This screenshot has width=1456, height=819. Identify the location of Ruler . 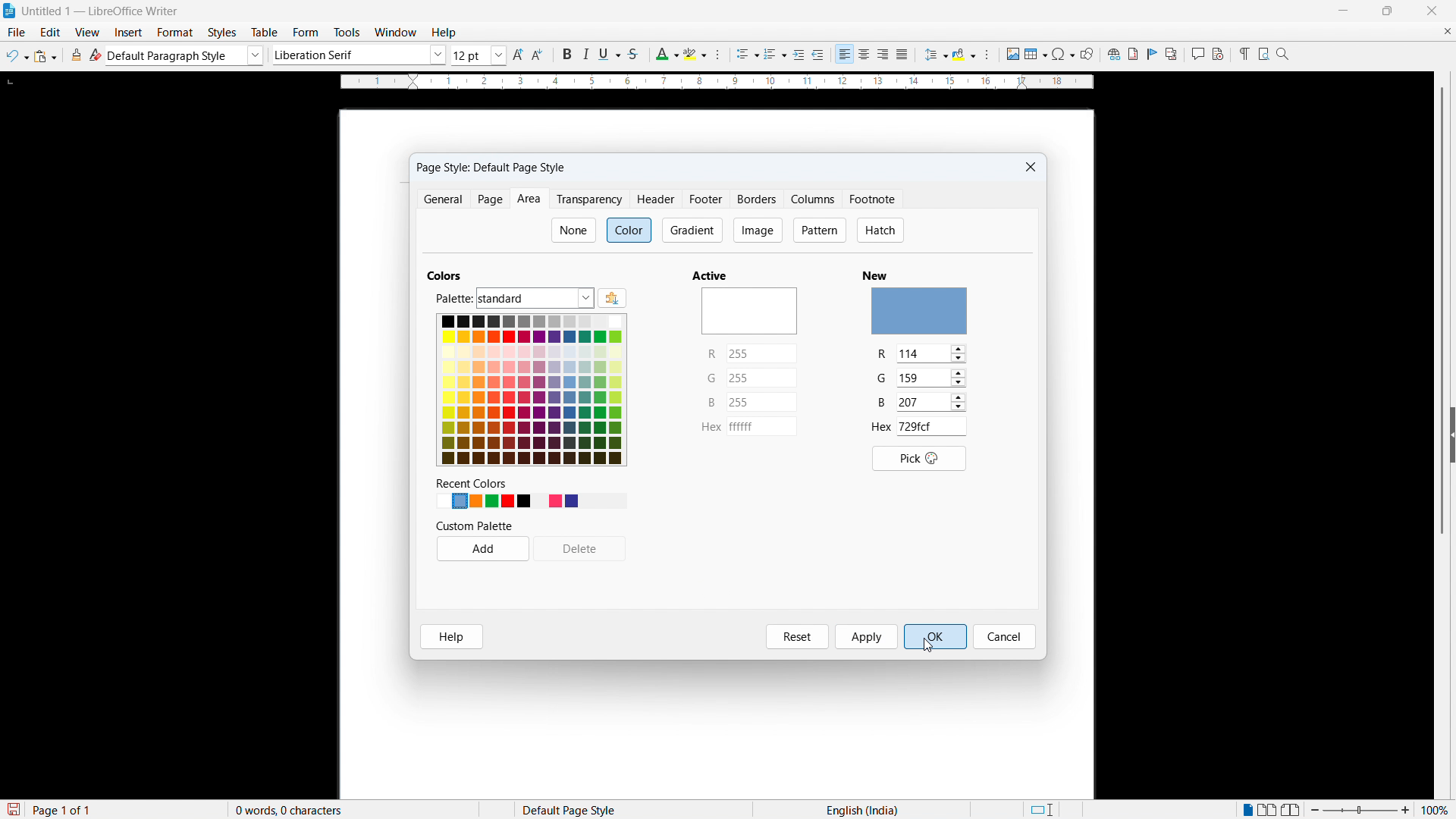
(717, 82).